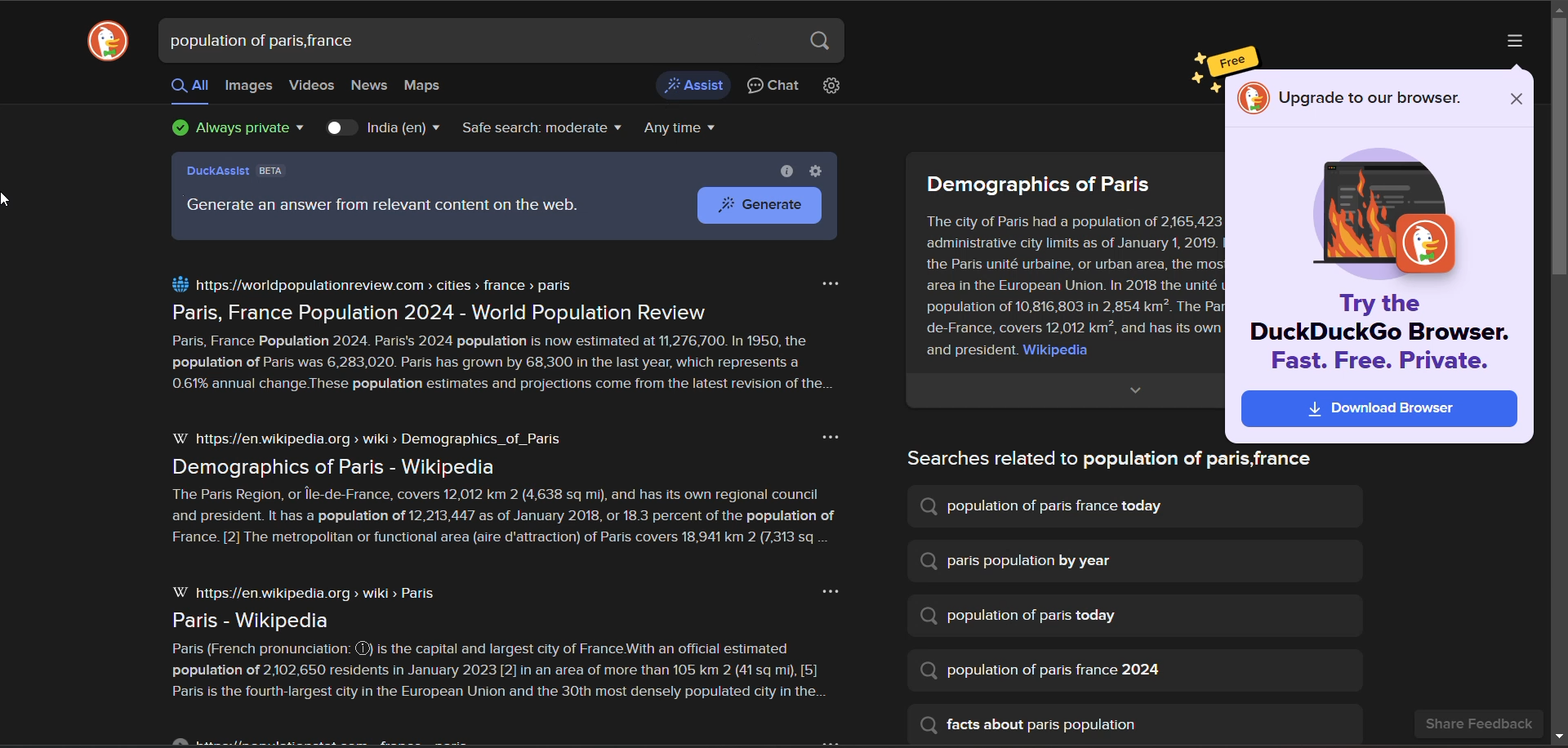  I want to click on paris population by year, so click(1017, 561).